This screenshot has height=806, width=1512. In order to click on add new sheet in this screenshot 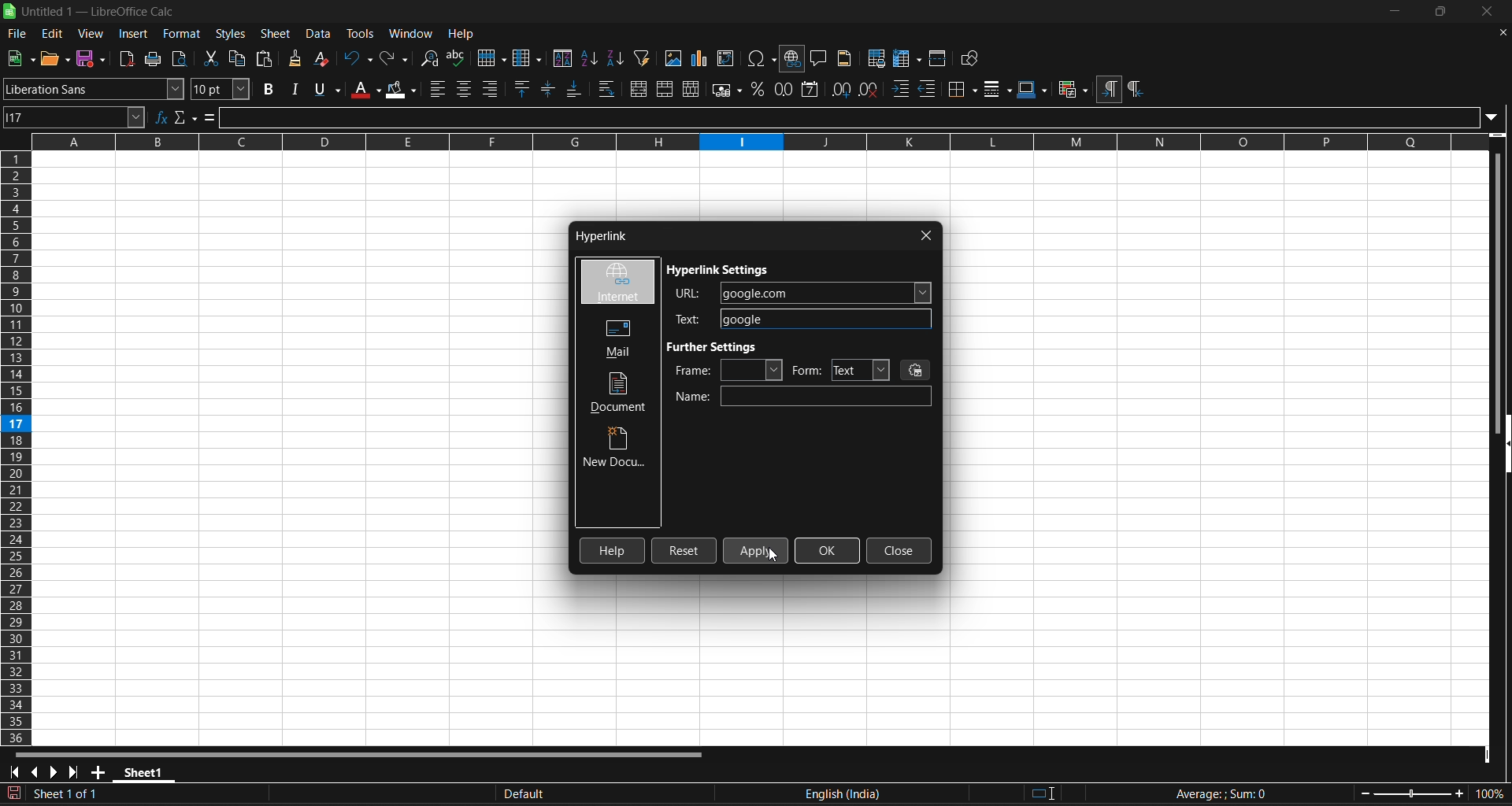, I will do `click(97, 772)`.